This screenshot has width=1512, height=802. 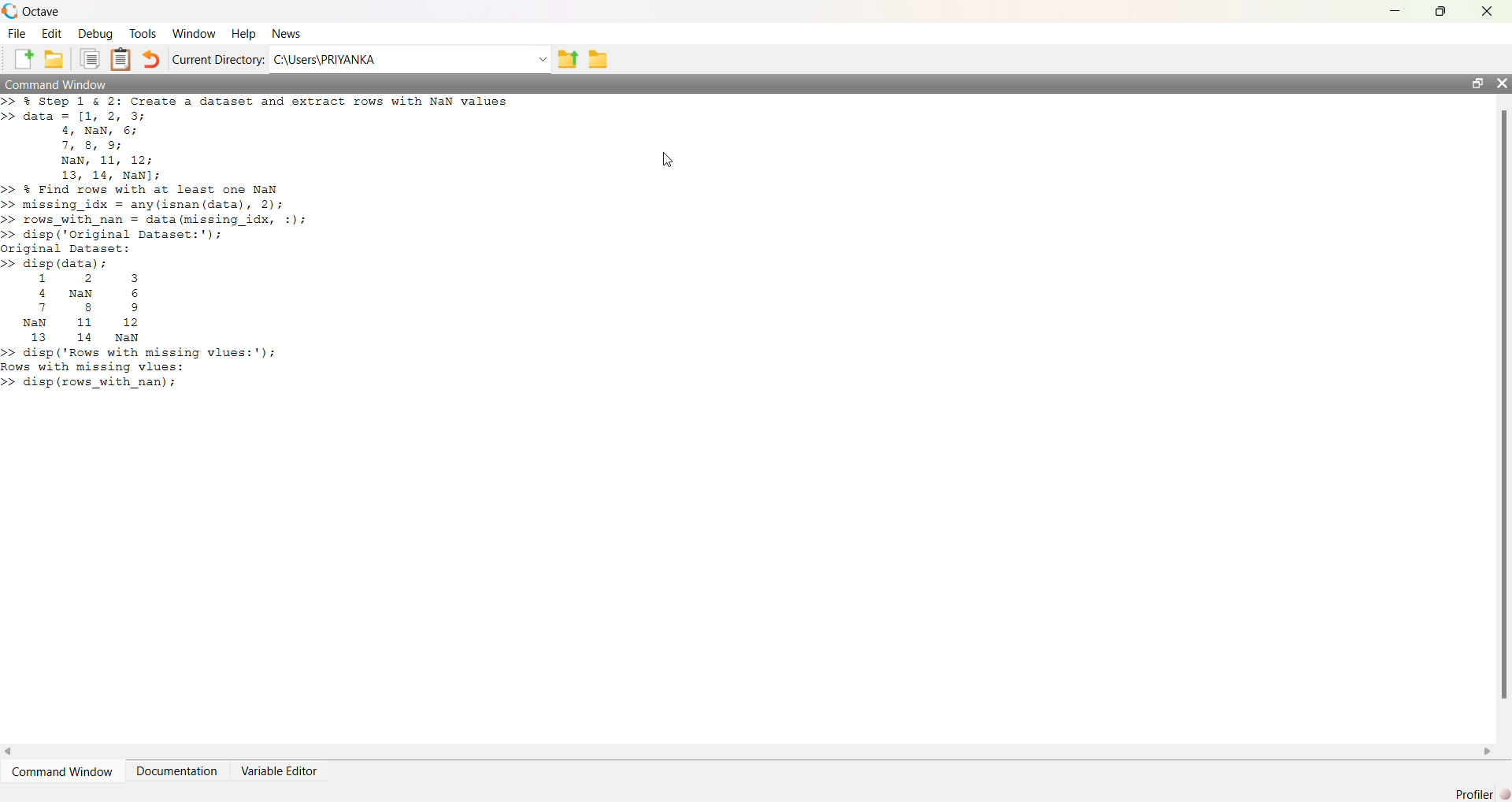 What do you see at coordinates (143, 33) in the screenshot?
I see `Tools` at bounding box center [143, 33].